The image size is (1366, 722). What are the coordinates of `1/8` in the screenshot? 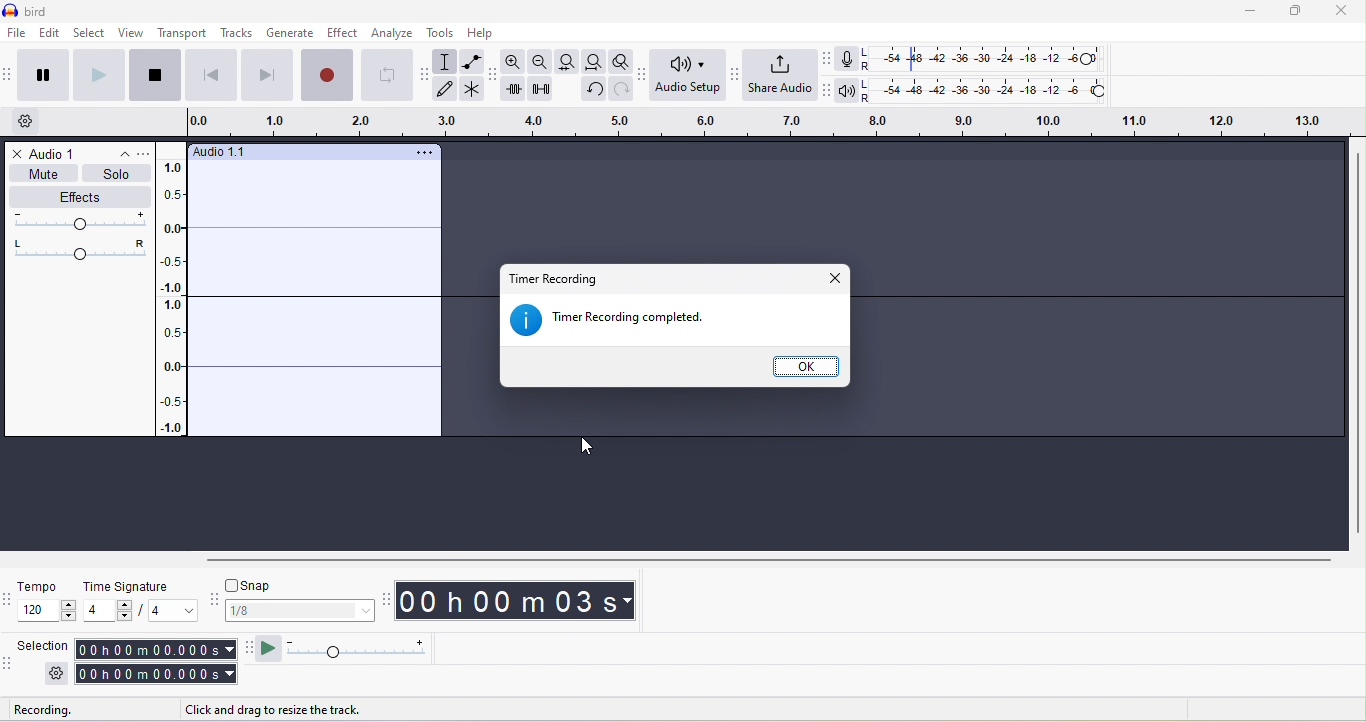 It's located at (301, 613).